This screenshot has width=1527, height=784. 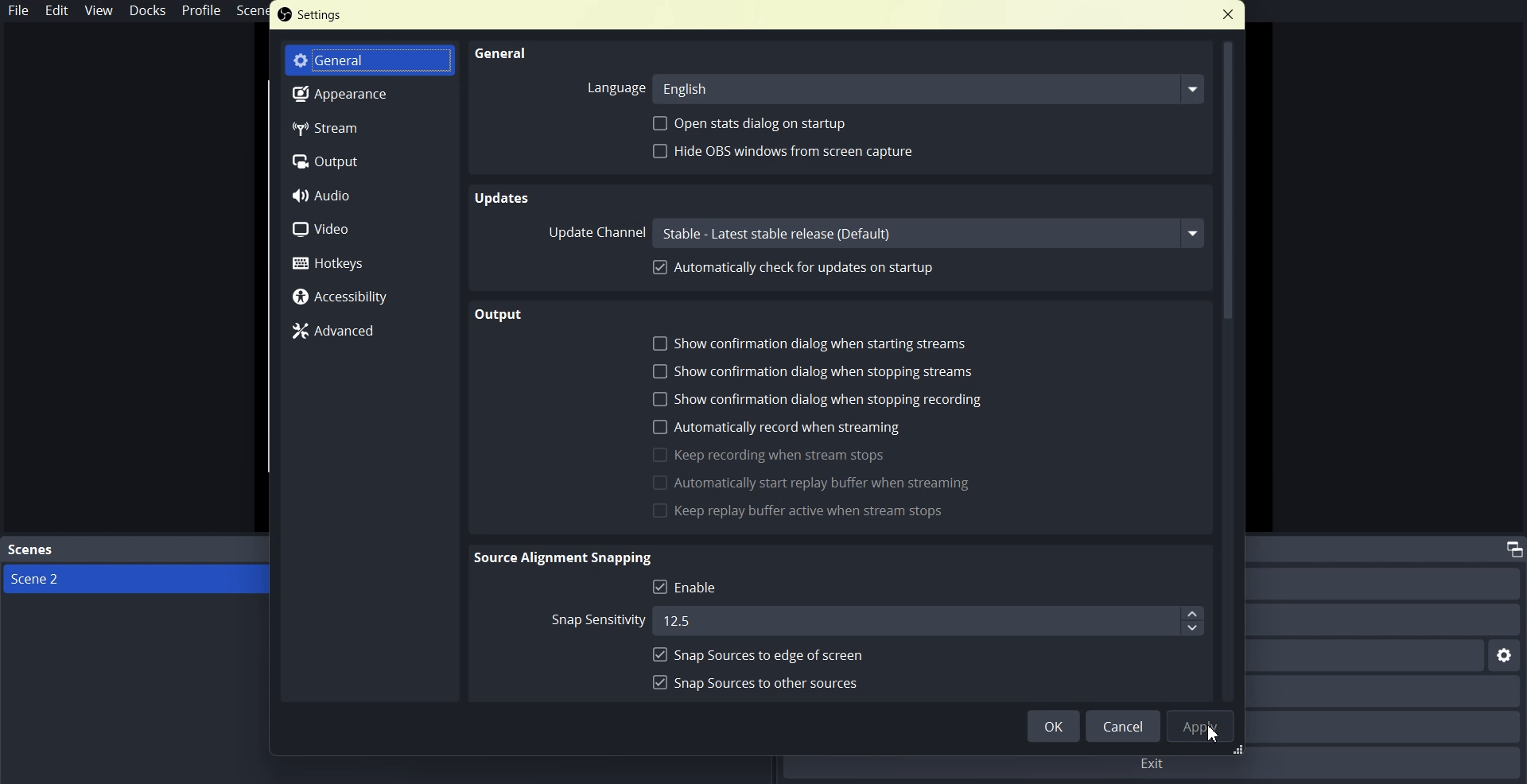 What do you see at coordinates (793, 266) in the screenshot?
I see `Automatically check for updates on startup` at bounding box center [793, 266].